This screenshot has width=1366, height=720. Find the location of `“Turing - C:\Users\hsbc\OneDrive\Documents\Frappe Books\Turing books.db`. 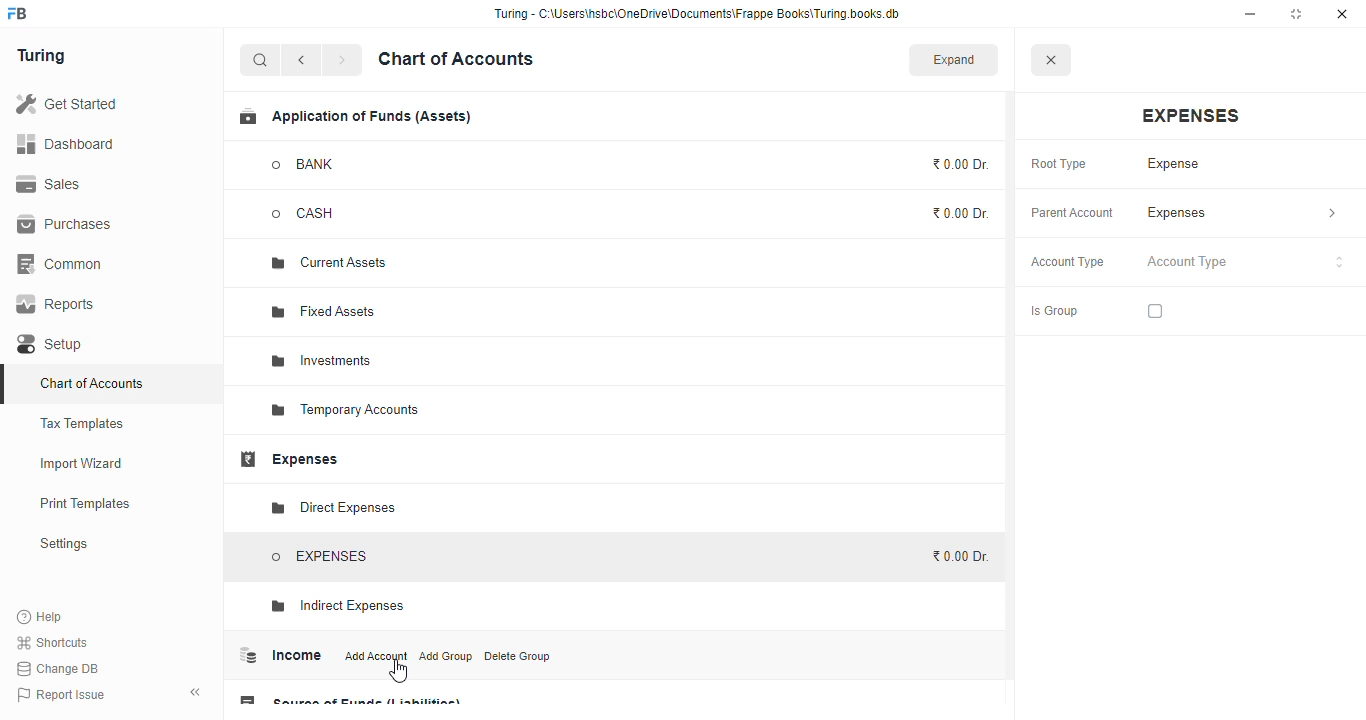

“Turing - C:\Users\hsbc\OneDrive\Documents\Frappe Books\Turing books.db is located at coordinates (696, 13).